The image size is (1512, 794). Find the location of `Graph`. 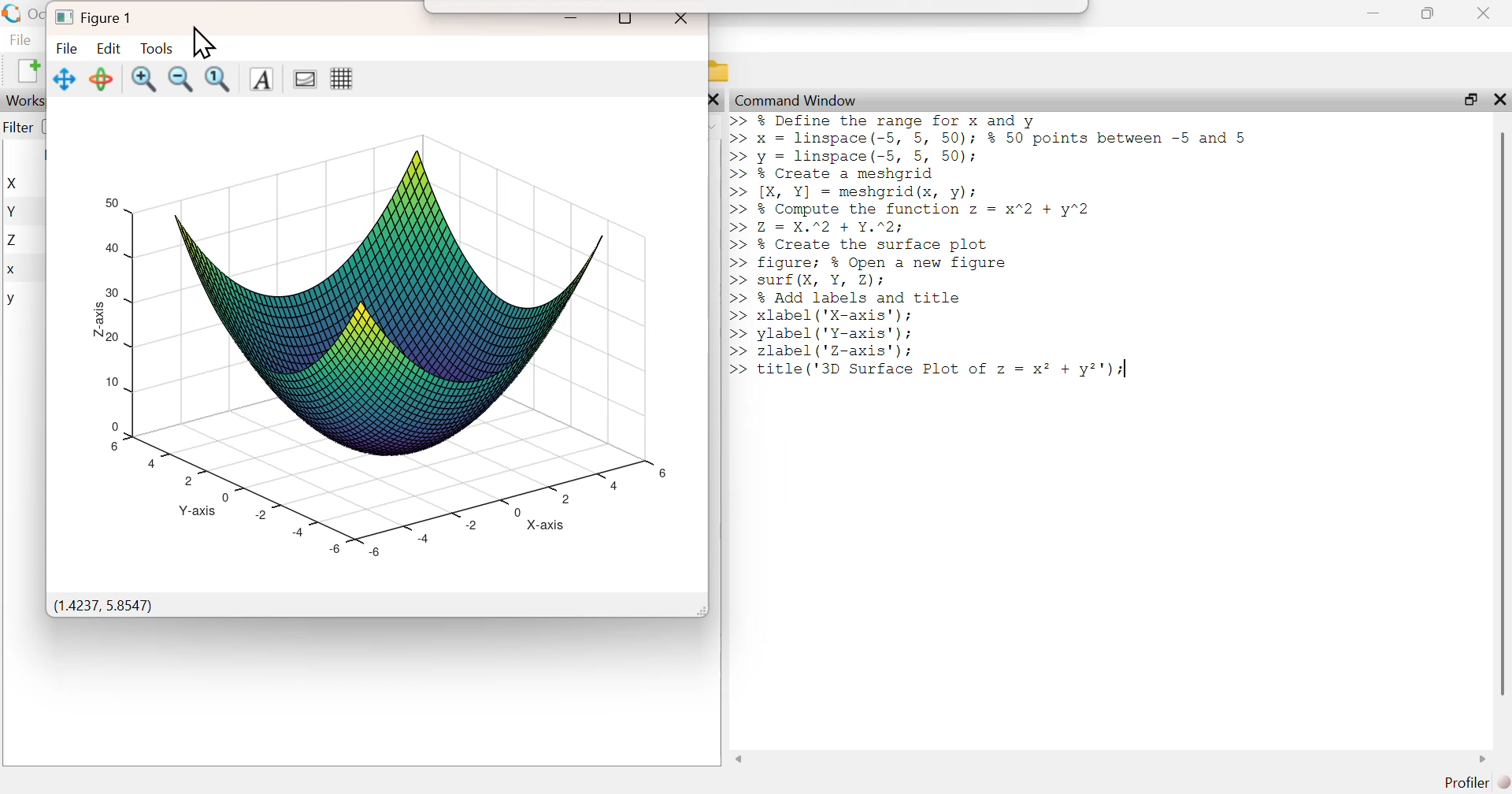

Graph is located at coordinates (382, 339).